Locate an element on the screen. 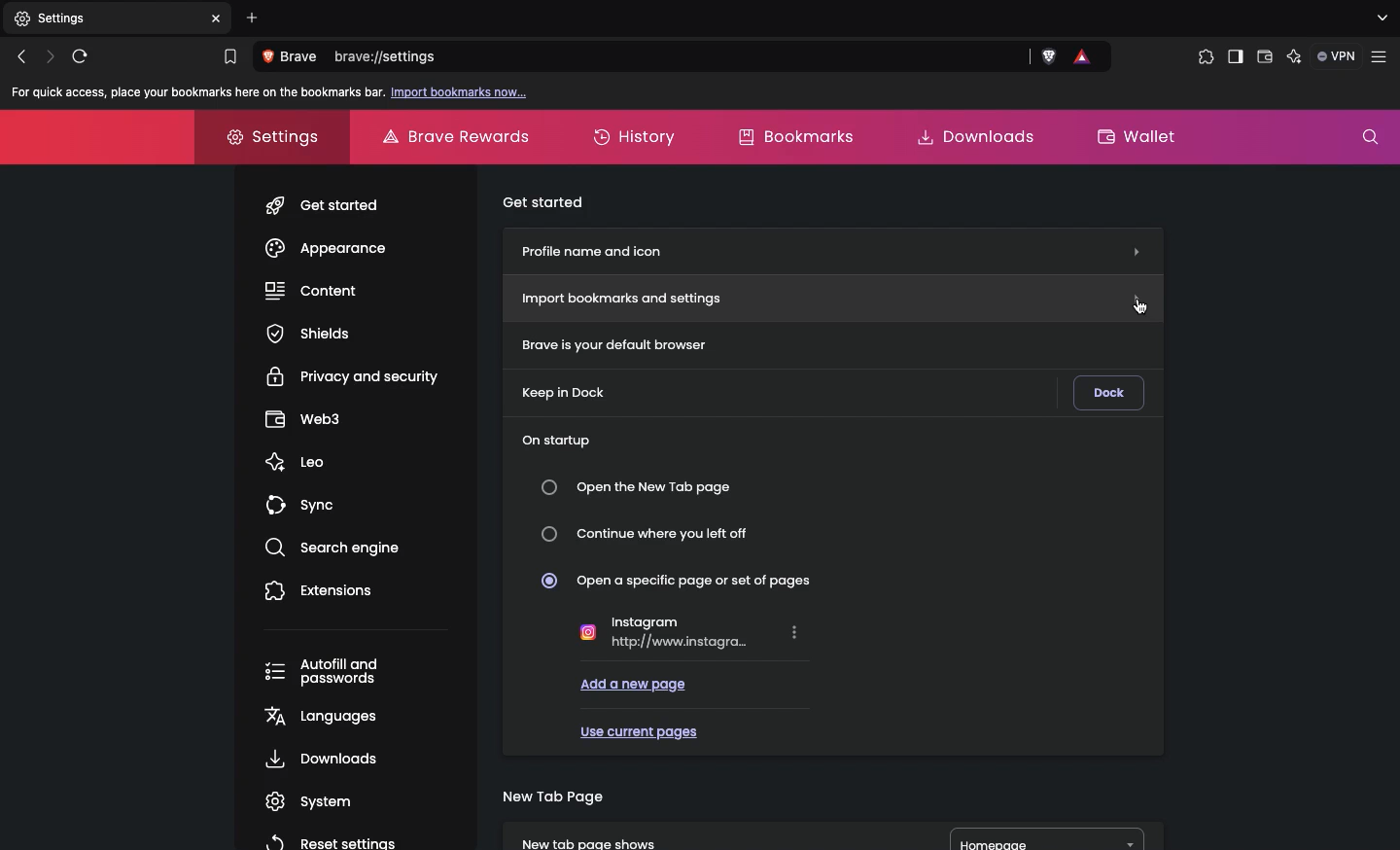 The height and width of the screenshot is (850, 1400). Homepage is located at coordinates (1048, 839).